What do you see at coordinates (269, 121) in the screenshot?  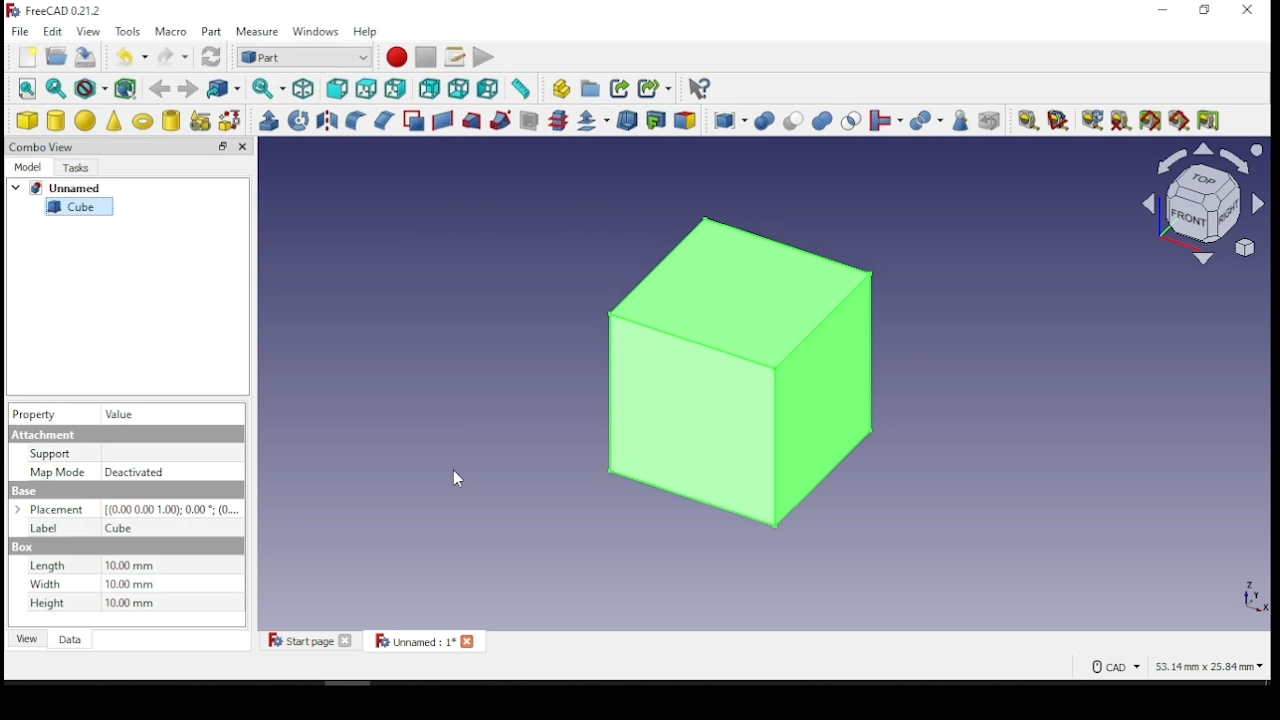 I see `extrude` at bounding box center [269, 121].